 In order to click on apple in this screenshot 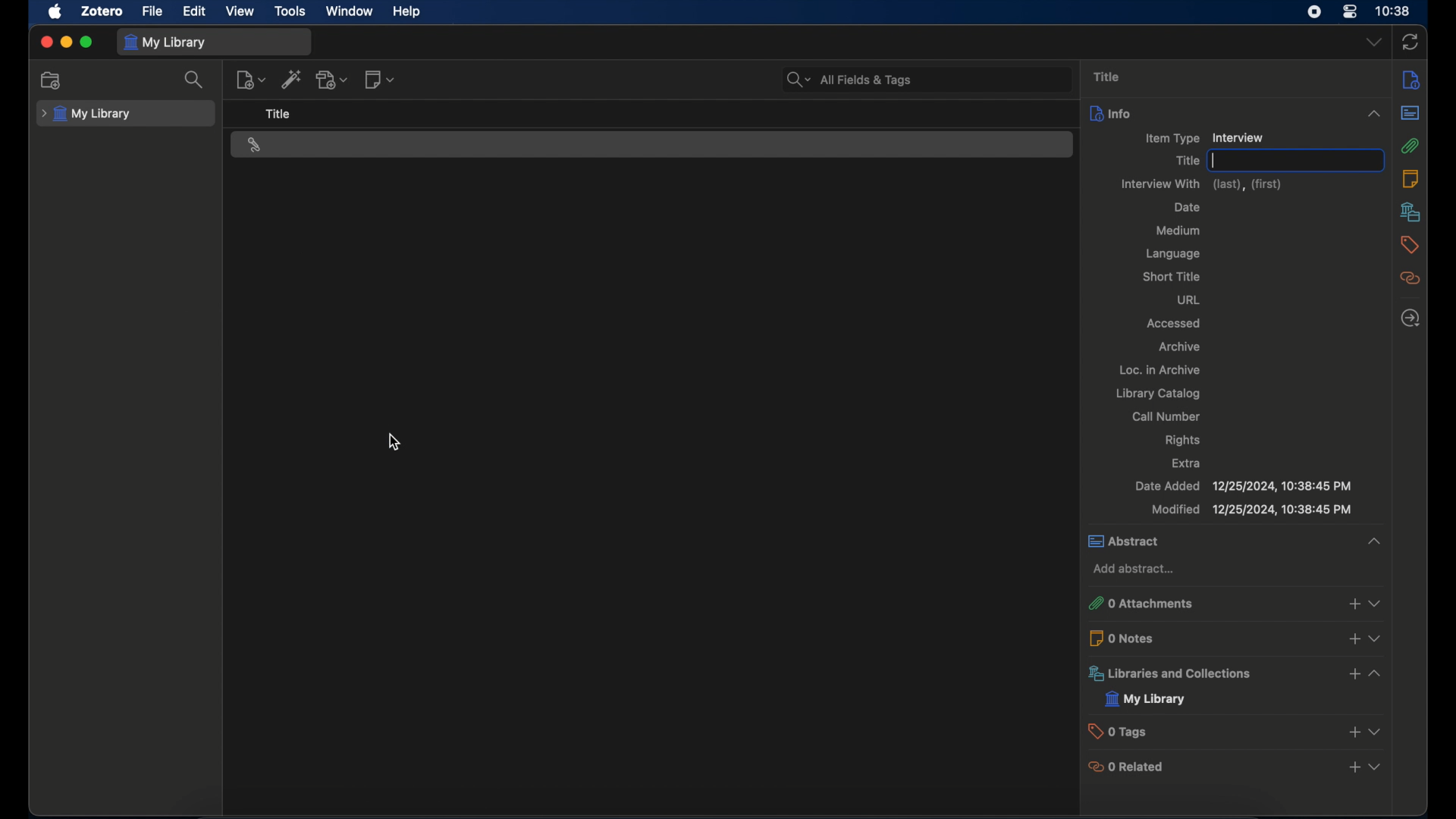, I will do `click(55, 12)`.